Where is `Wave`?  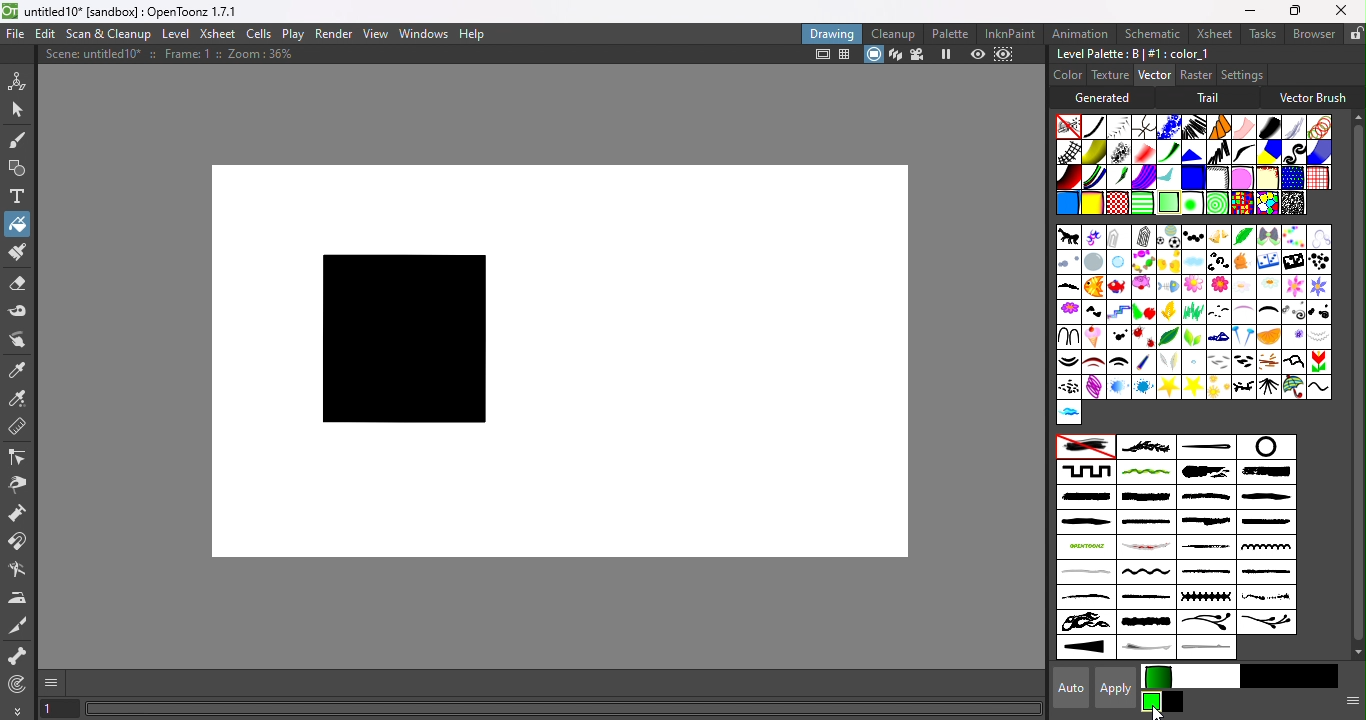 Wave is located at coordinates (1243, 152).